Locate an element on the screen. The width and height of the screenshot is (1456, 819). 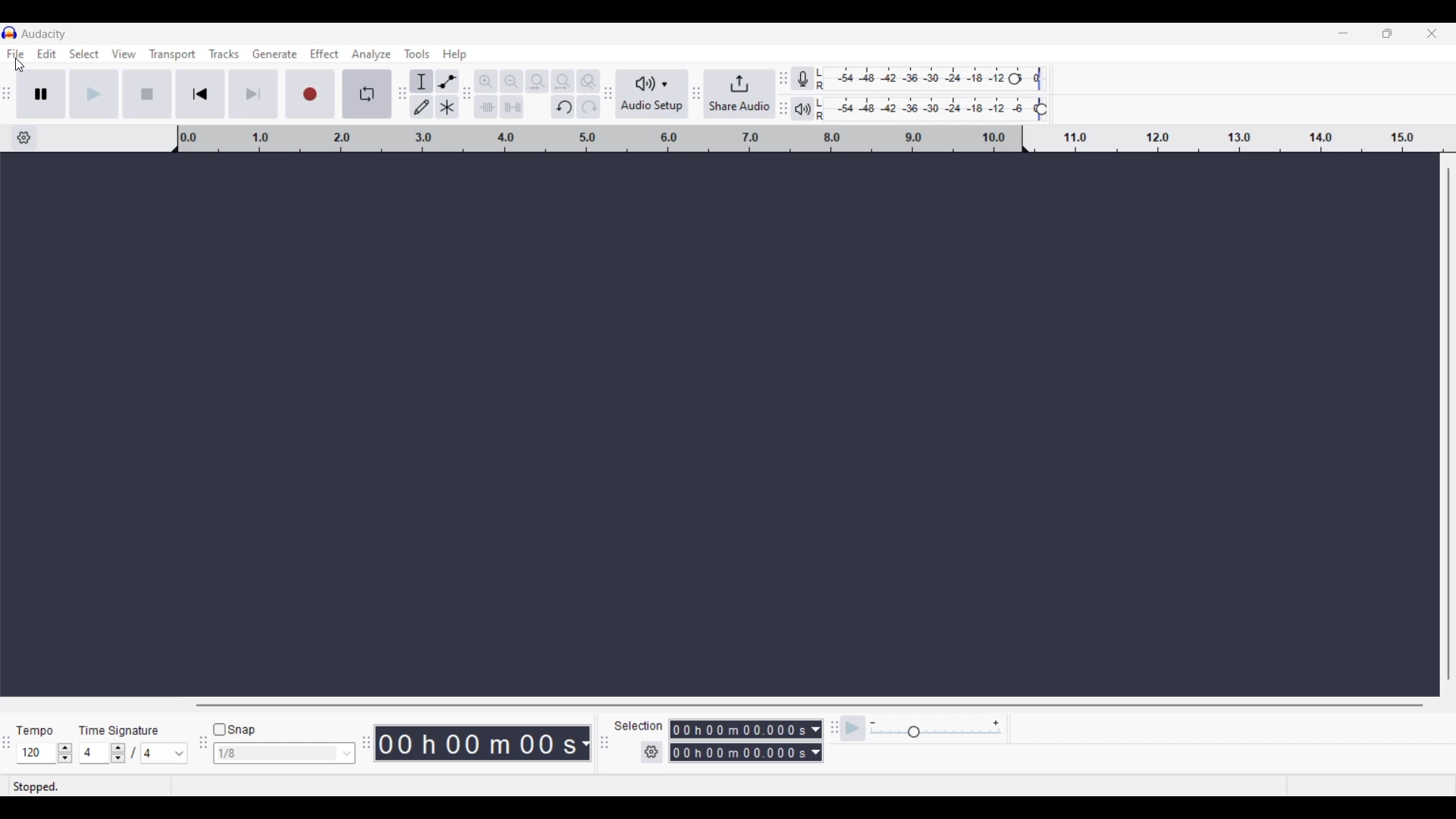
Playback meter is located at coordinates (812, 108).